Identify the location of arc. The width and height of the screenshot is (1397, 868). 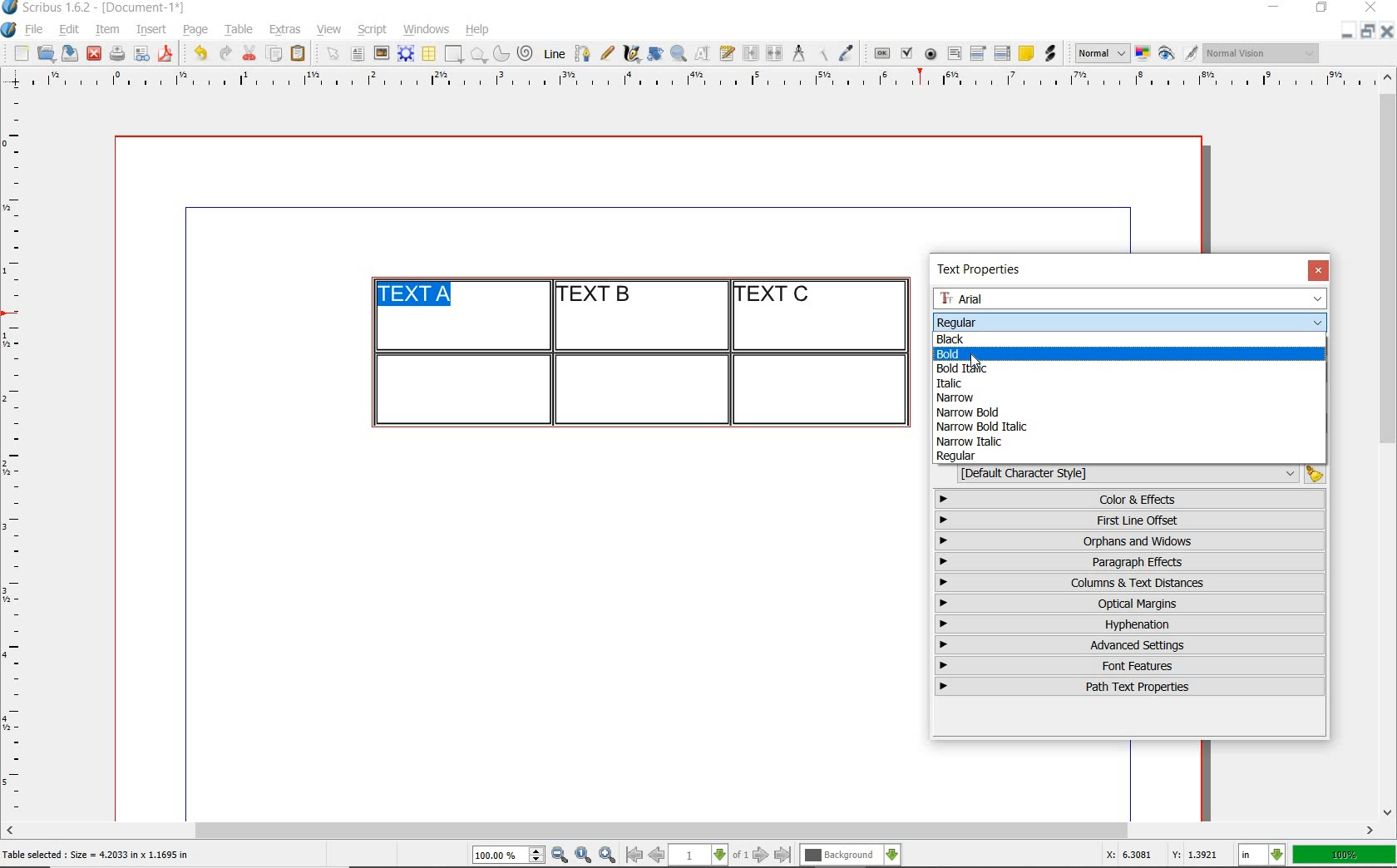
(501, 53).